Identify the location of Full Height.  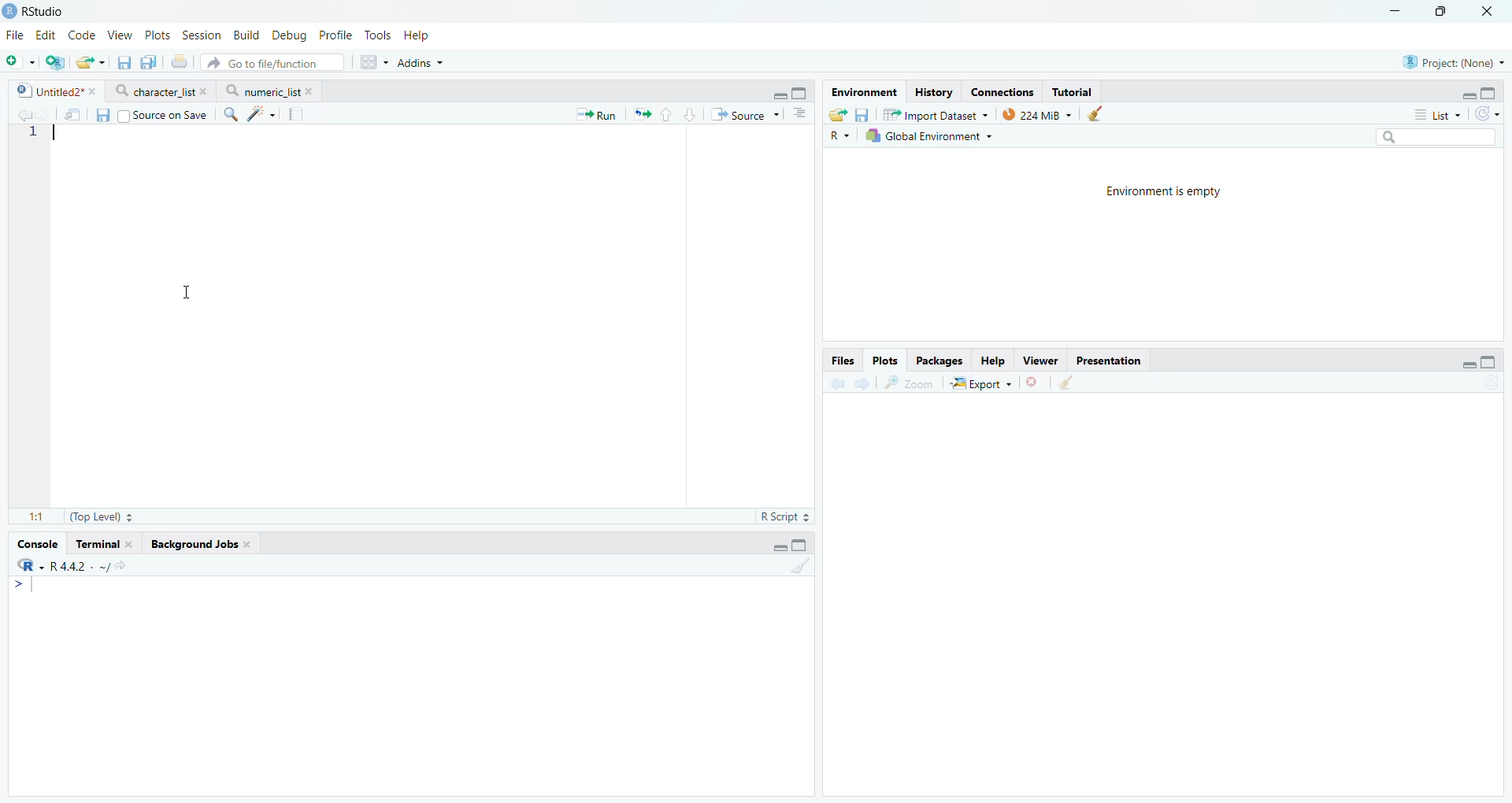
(802, 92).